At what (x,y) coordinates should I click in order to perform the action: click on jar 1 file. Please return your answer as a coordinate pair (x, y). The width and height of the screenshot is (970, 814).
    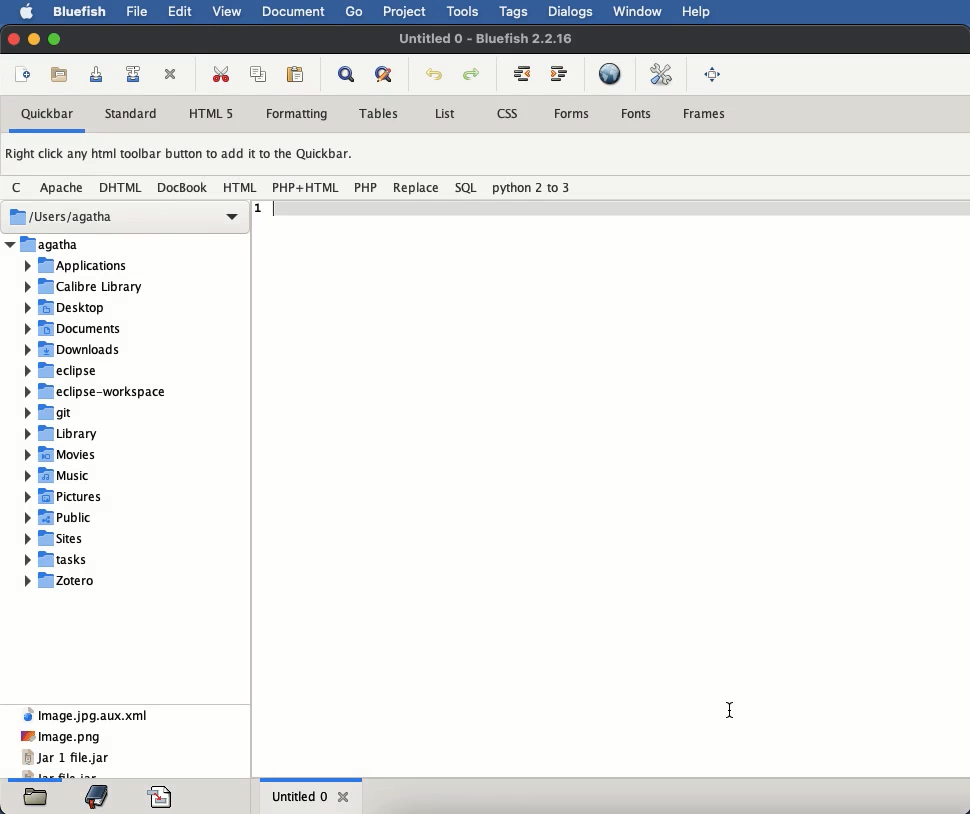
    Looking at the image, I should click on (65, 758).